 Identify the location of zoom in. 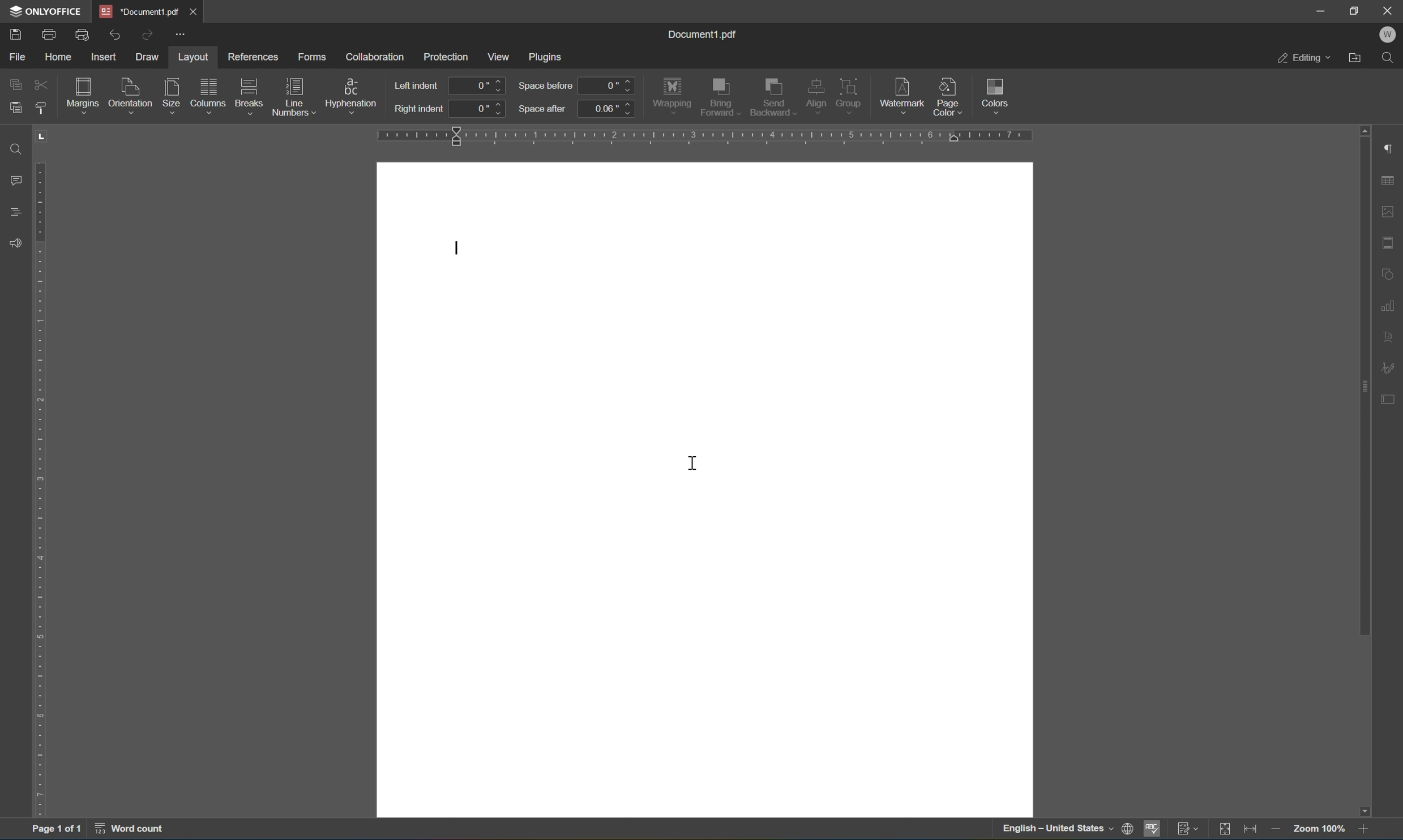
(1362, 830).